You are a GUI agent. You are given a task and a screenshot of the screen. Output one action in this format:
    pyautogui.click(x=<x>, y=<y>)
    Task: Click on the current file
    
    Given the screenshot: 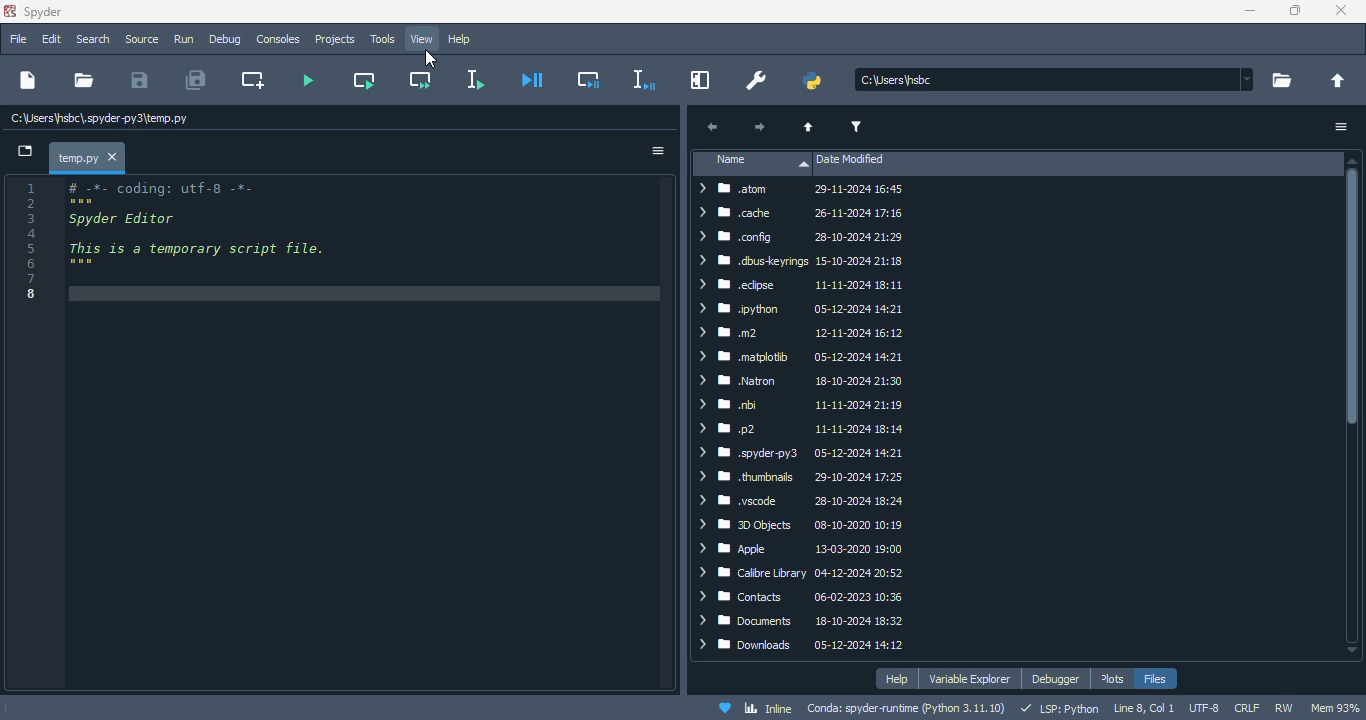 What is the action you would take?
    pyautogui.click(x=1056, y=80)
    